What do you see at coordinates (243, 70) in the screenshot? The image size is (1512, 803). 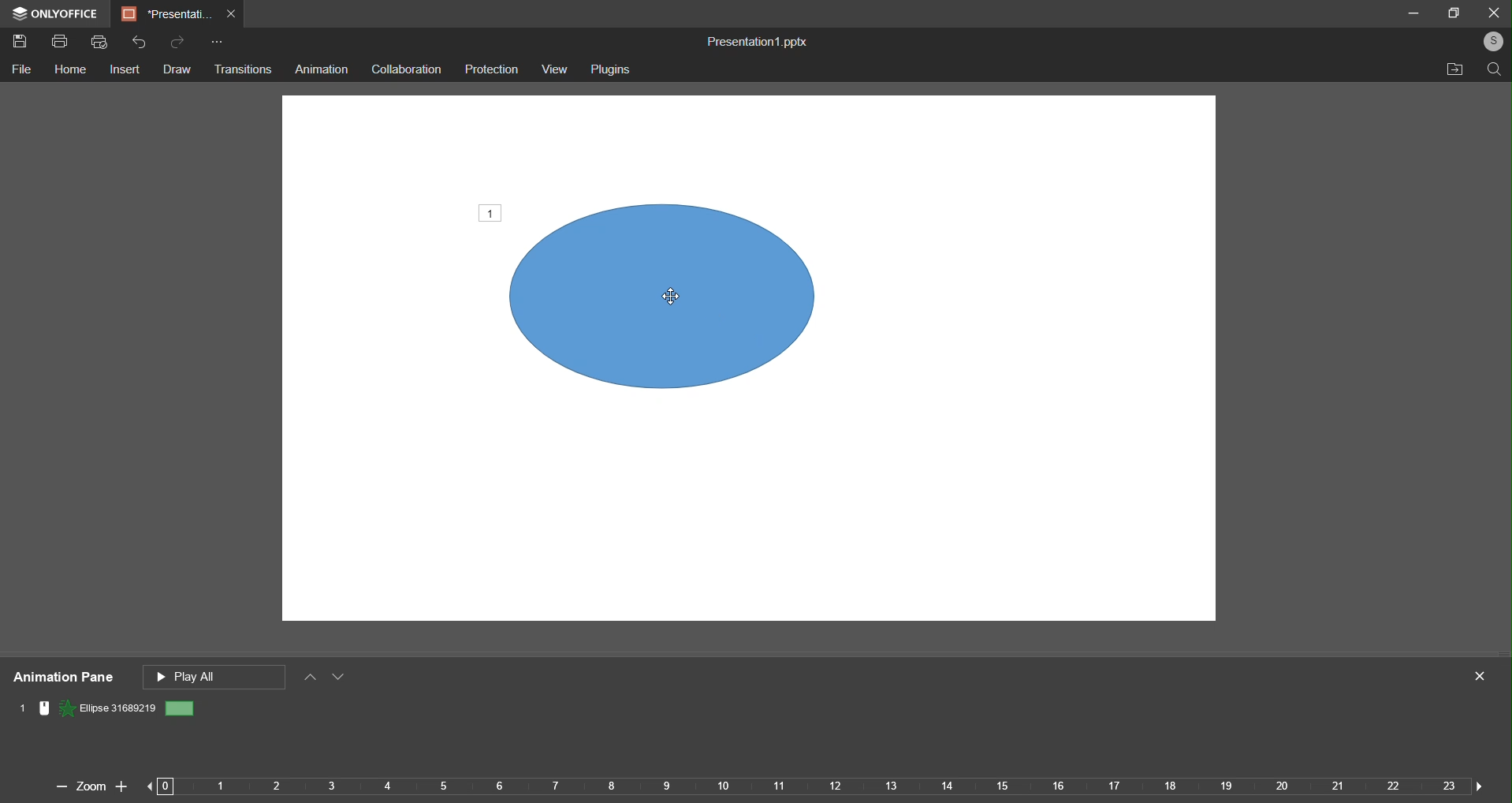 I see `transitions` at bounding box center [243, 70].